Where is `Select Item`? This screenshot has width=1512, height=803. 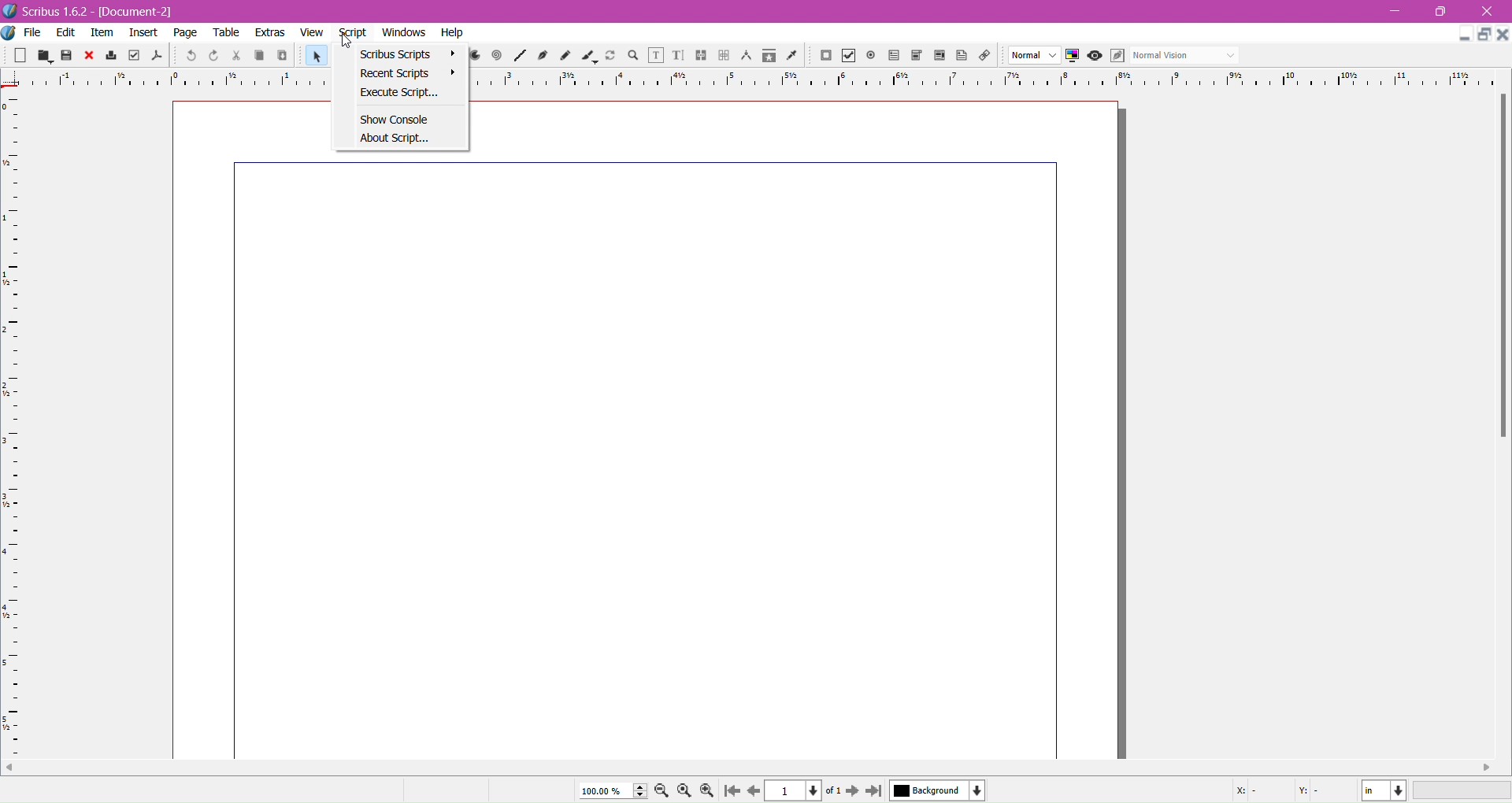 Select Item is located at coordinates (316, 55).